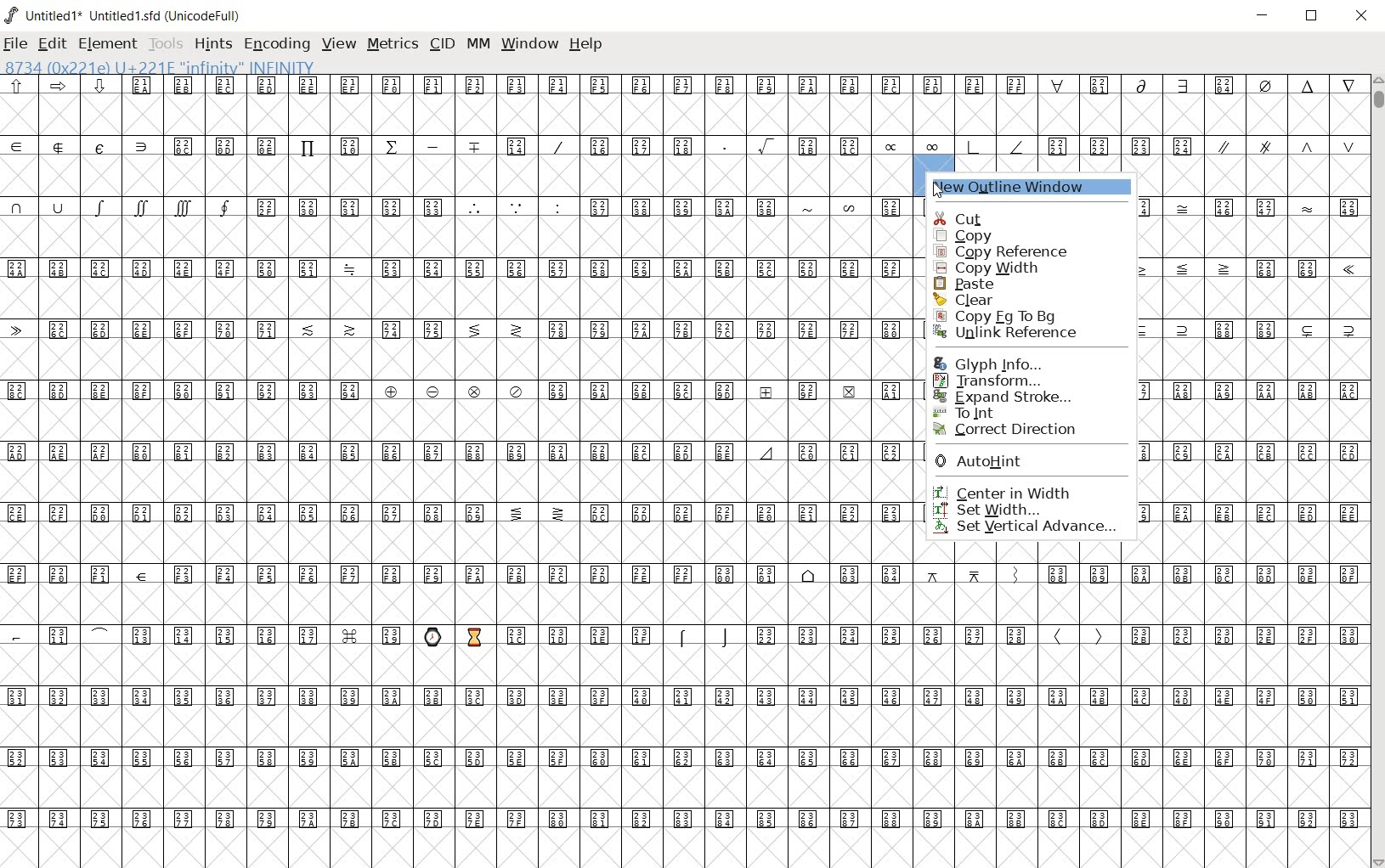 This screenshot has width=1385, height=868. What do you see at coordinates (453, 635) in the screenshot?
I see `emojis` at bounding box center [453, 635].